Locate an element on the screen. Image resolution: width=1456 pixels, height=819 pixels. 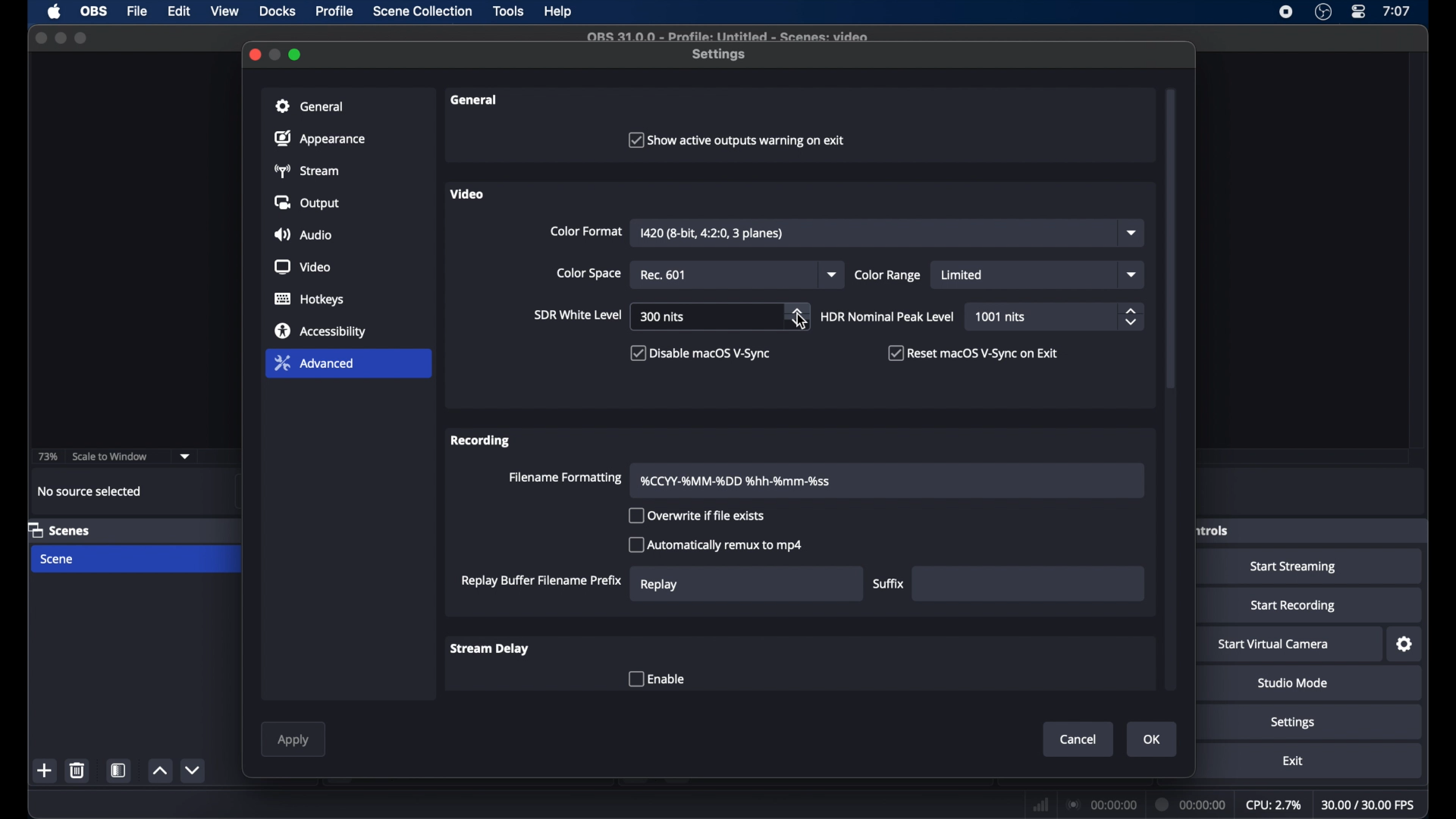
appearance is located at coordinates (322, 138).